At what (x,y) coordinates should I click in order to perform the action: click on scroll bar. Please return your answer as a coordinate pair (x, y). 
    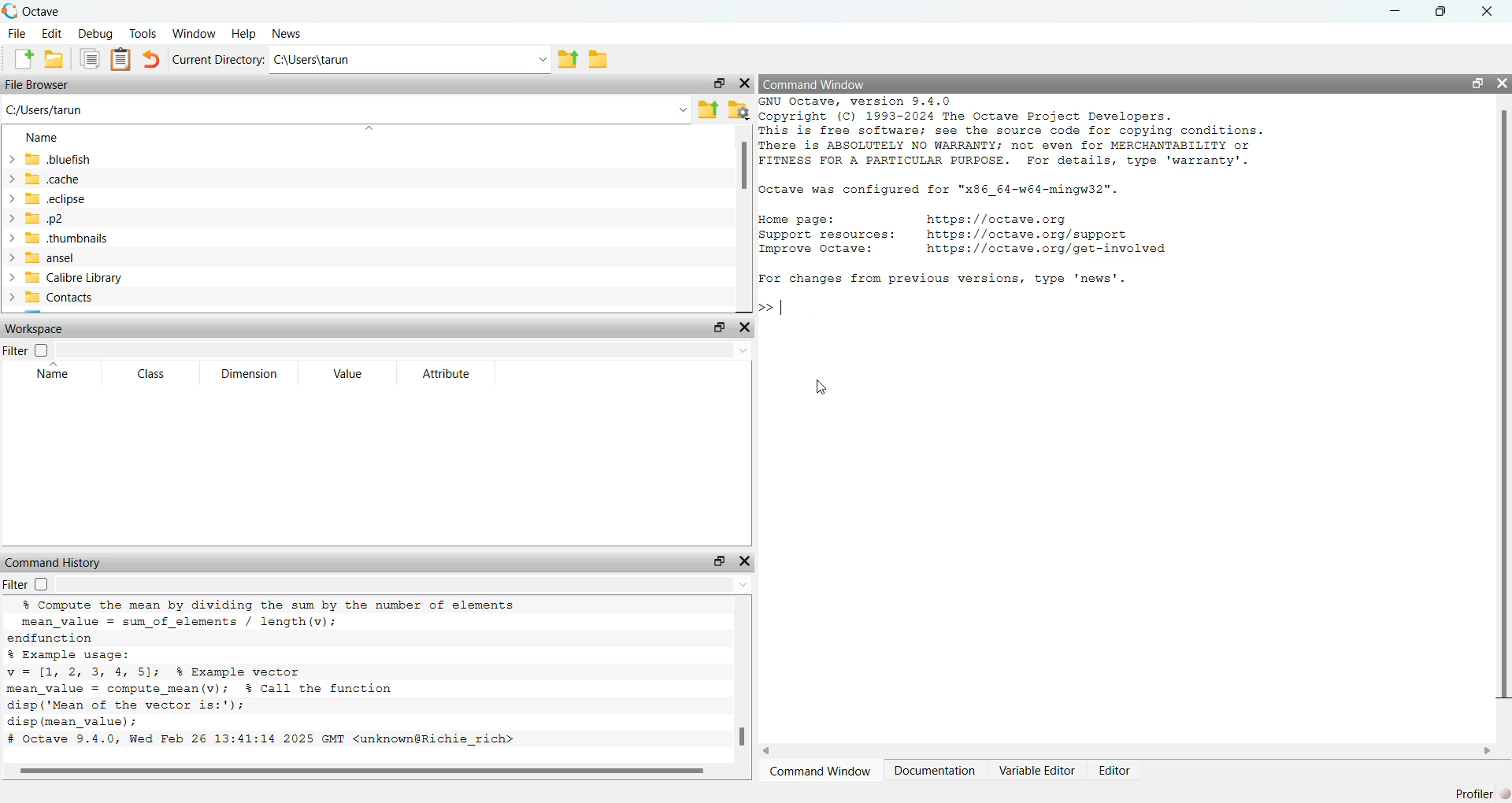
    Looking at the image, I should click on (366, 771).